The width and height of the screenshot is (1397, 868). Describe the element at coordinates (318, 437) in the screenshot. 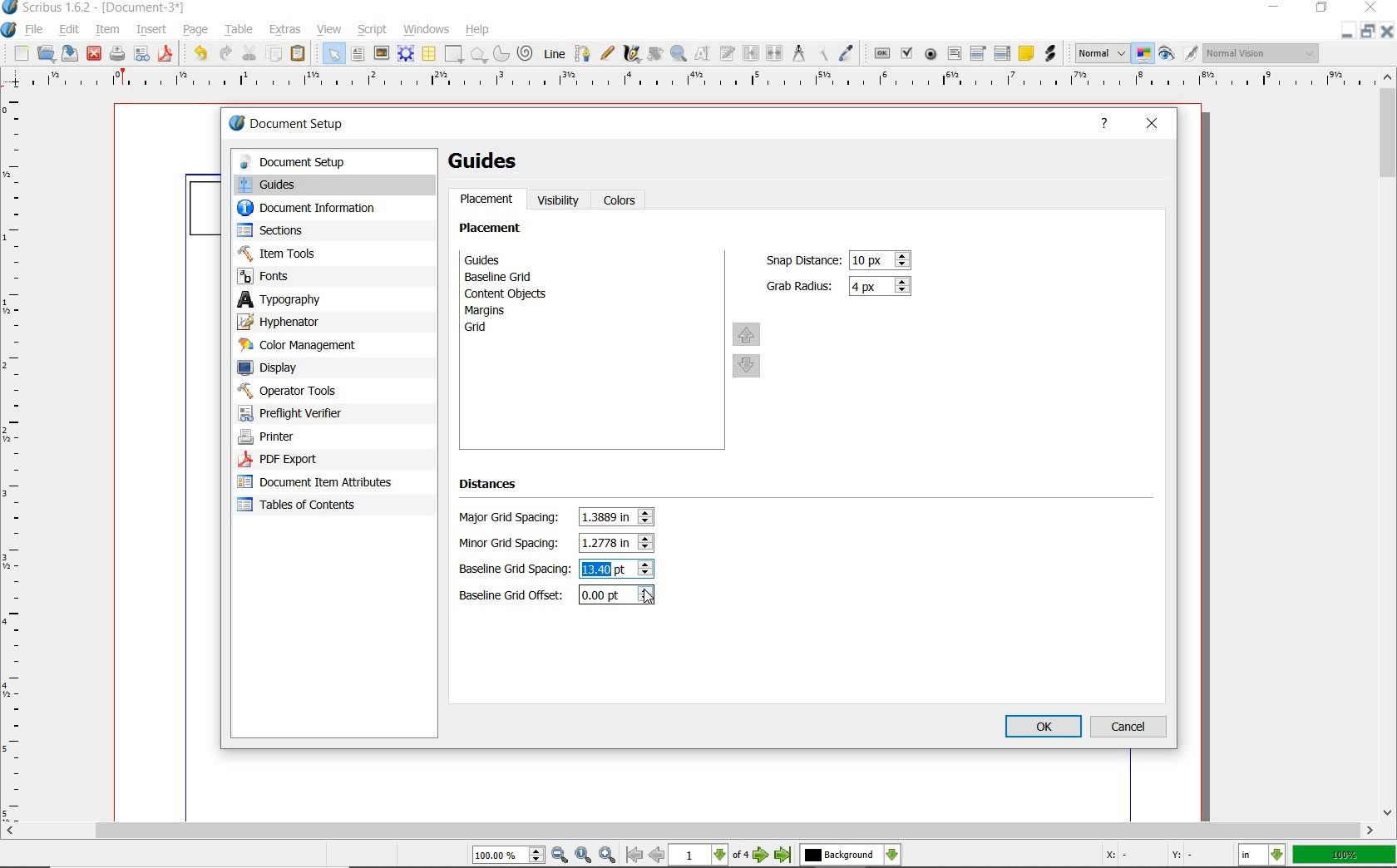

I see `printer` at that location.